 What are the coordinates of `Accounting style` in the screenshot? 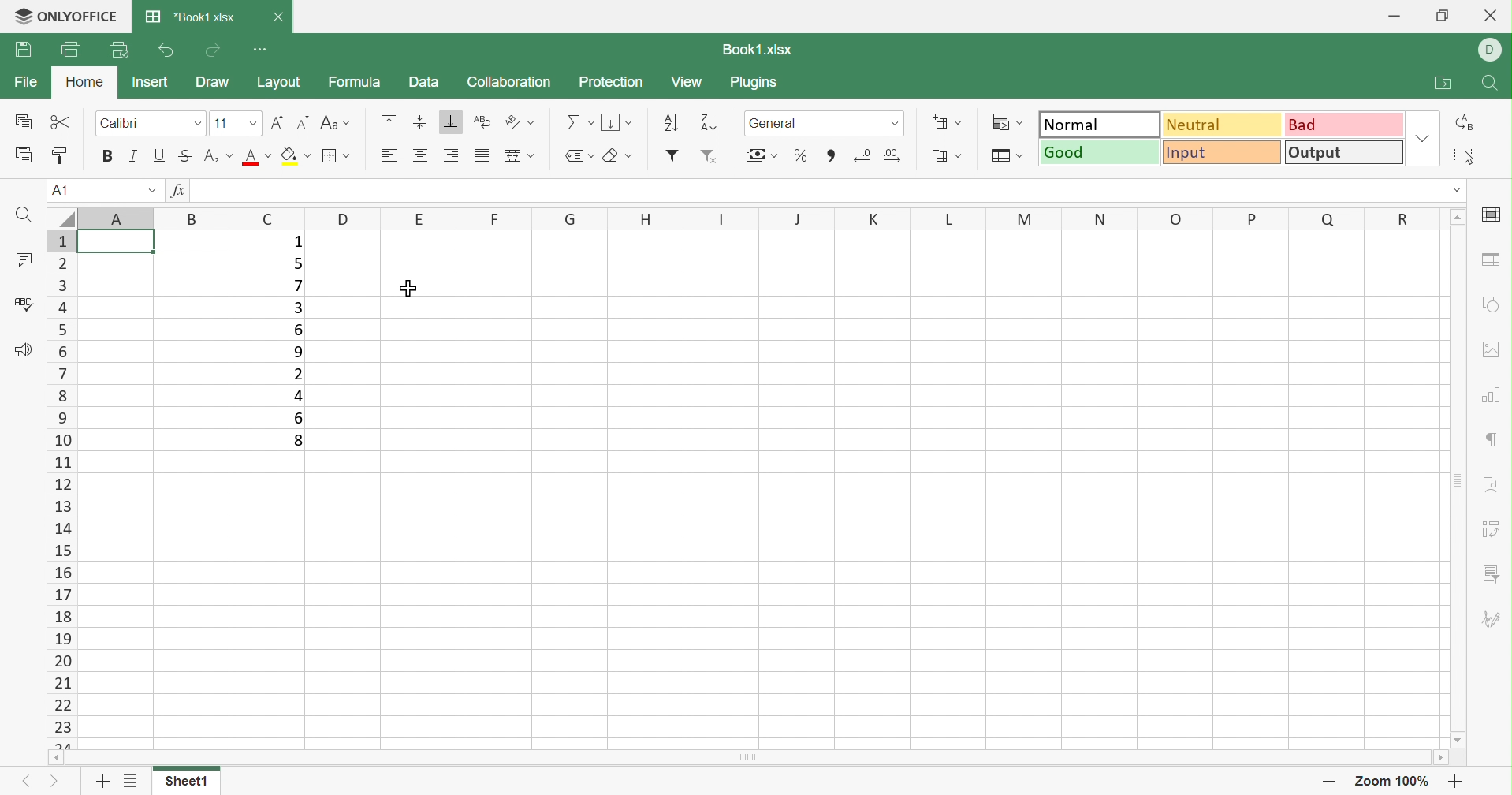 It's located at (764, 157).